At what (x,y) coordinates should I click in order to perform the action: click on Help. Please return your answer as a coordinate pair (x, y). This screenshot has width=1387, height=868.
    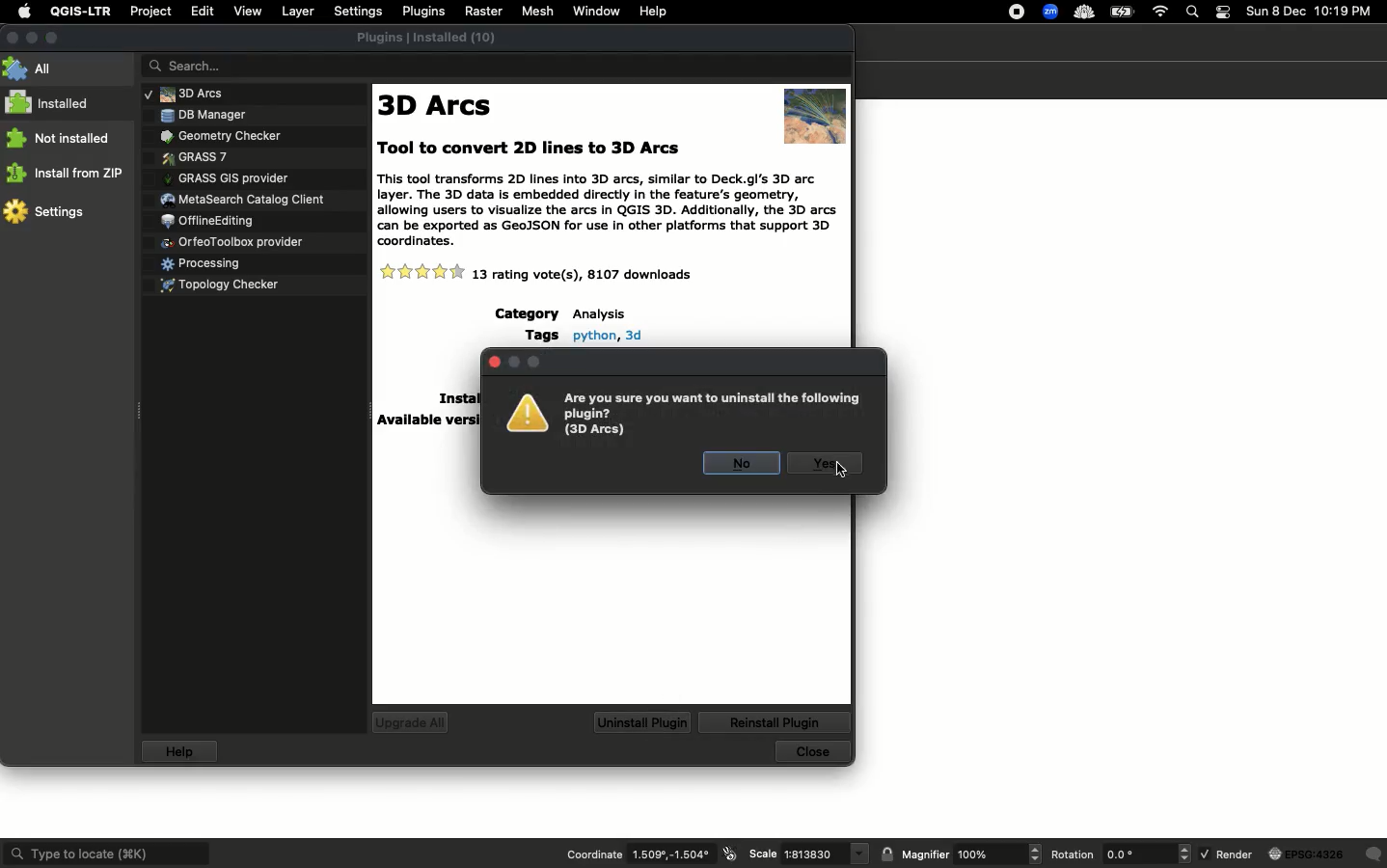
    Looking at the image, I should click on (181, 751).